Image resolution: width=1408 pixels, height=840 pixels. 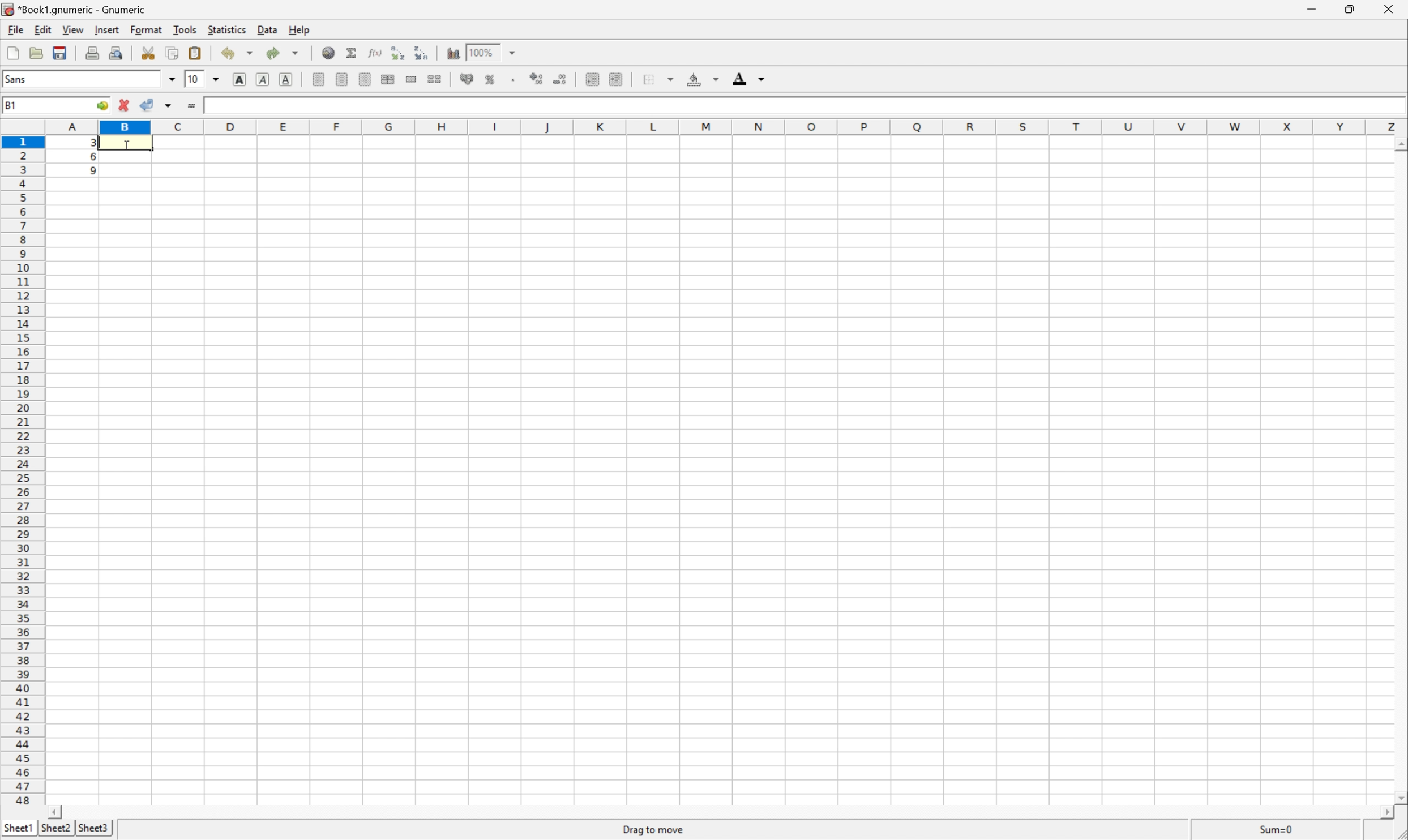 What do you see at coordinates (172, 79) in the screenshot?
I see `Drop Down` at bounding box center [172, 79].